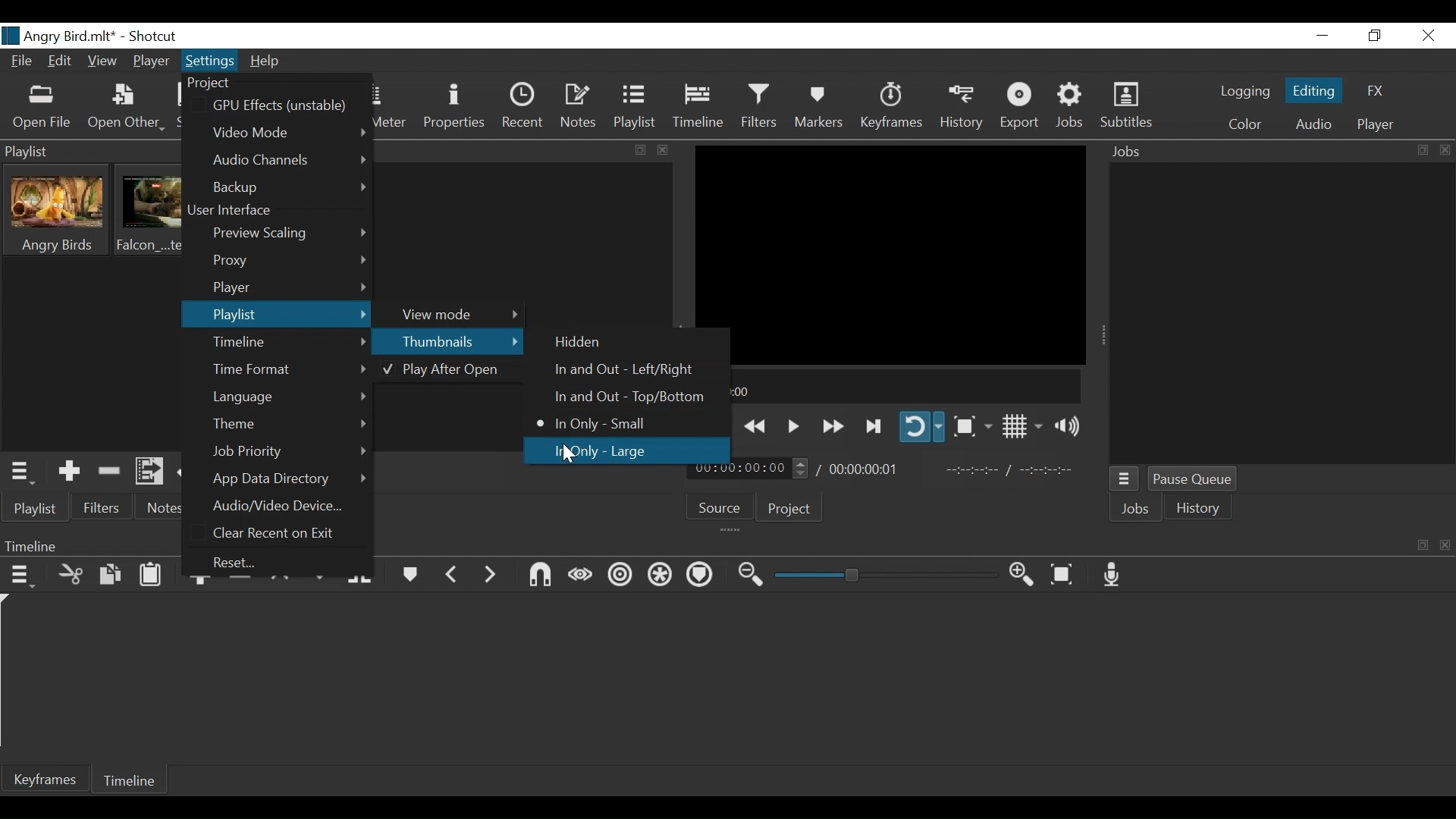 This screenshot has height=819, width=1456. I want to click on Zoom timeline in, so click(1021, 576).